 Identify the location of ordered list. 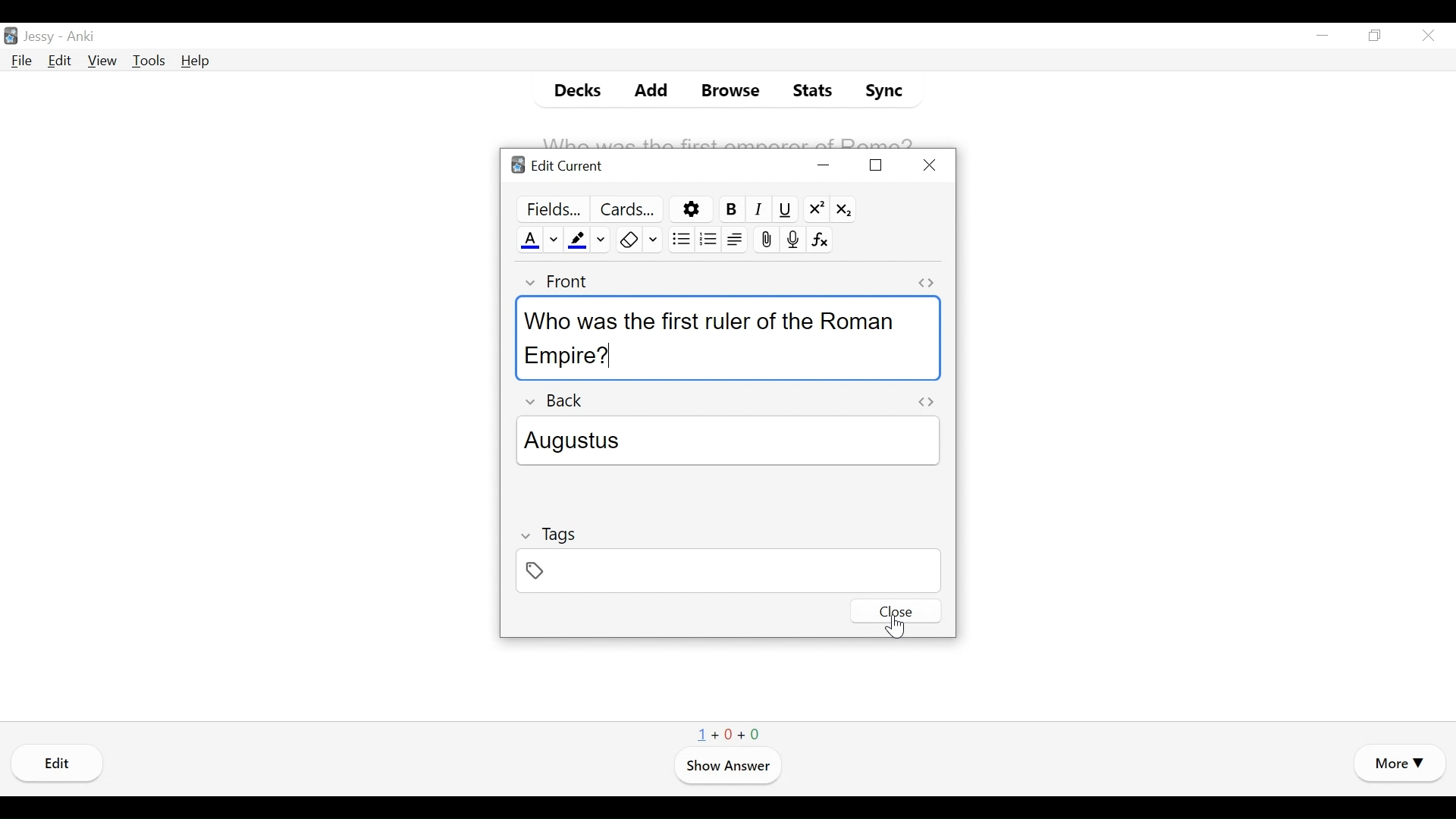
(708, 238).